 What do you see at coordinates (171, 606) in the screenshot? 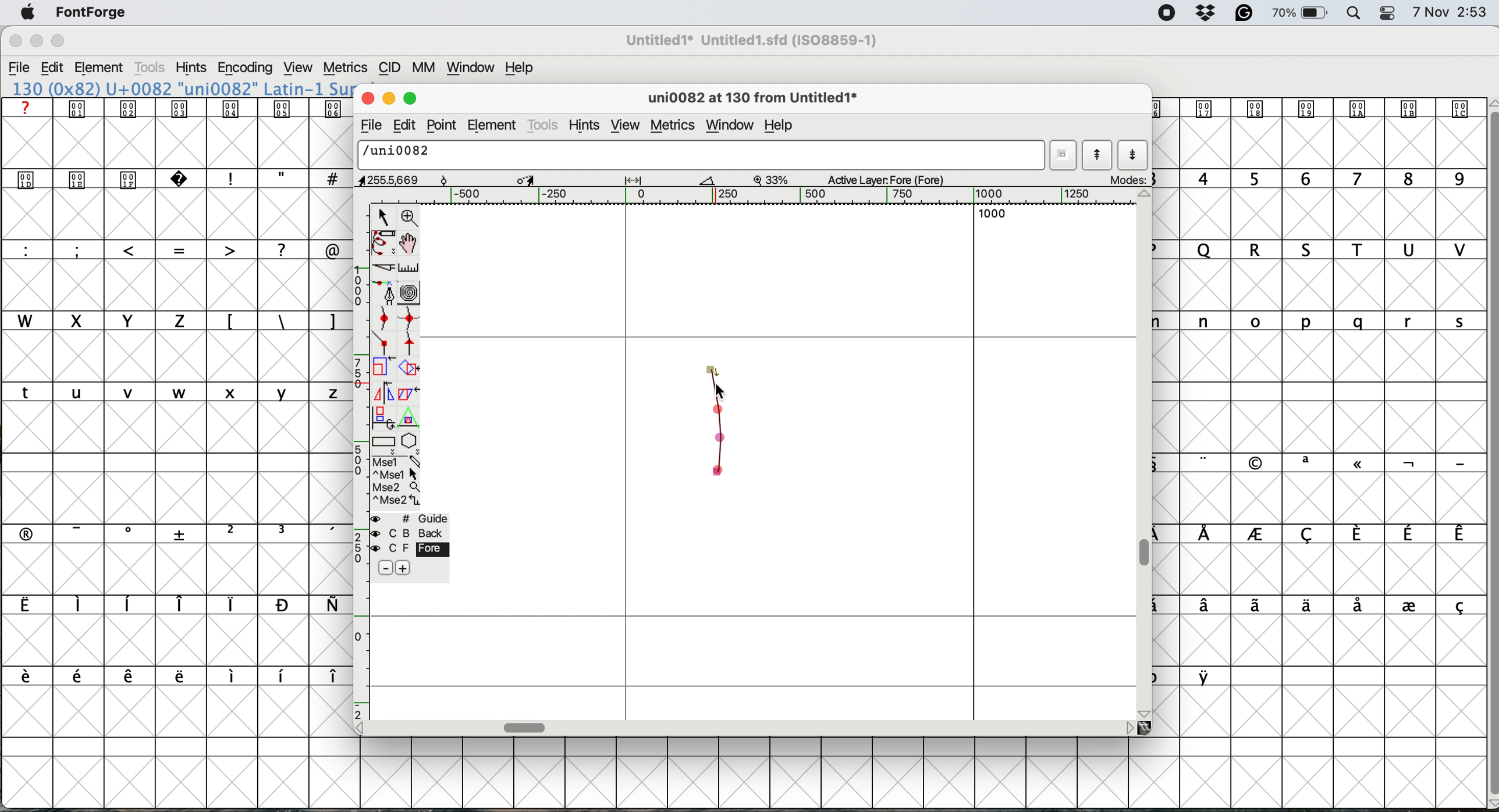
I see `special characters` at bounding box center [171, 606].